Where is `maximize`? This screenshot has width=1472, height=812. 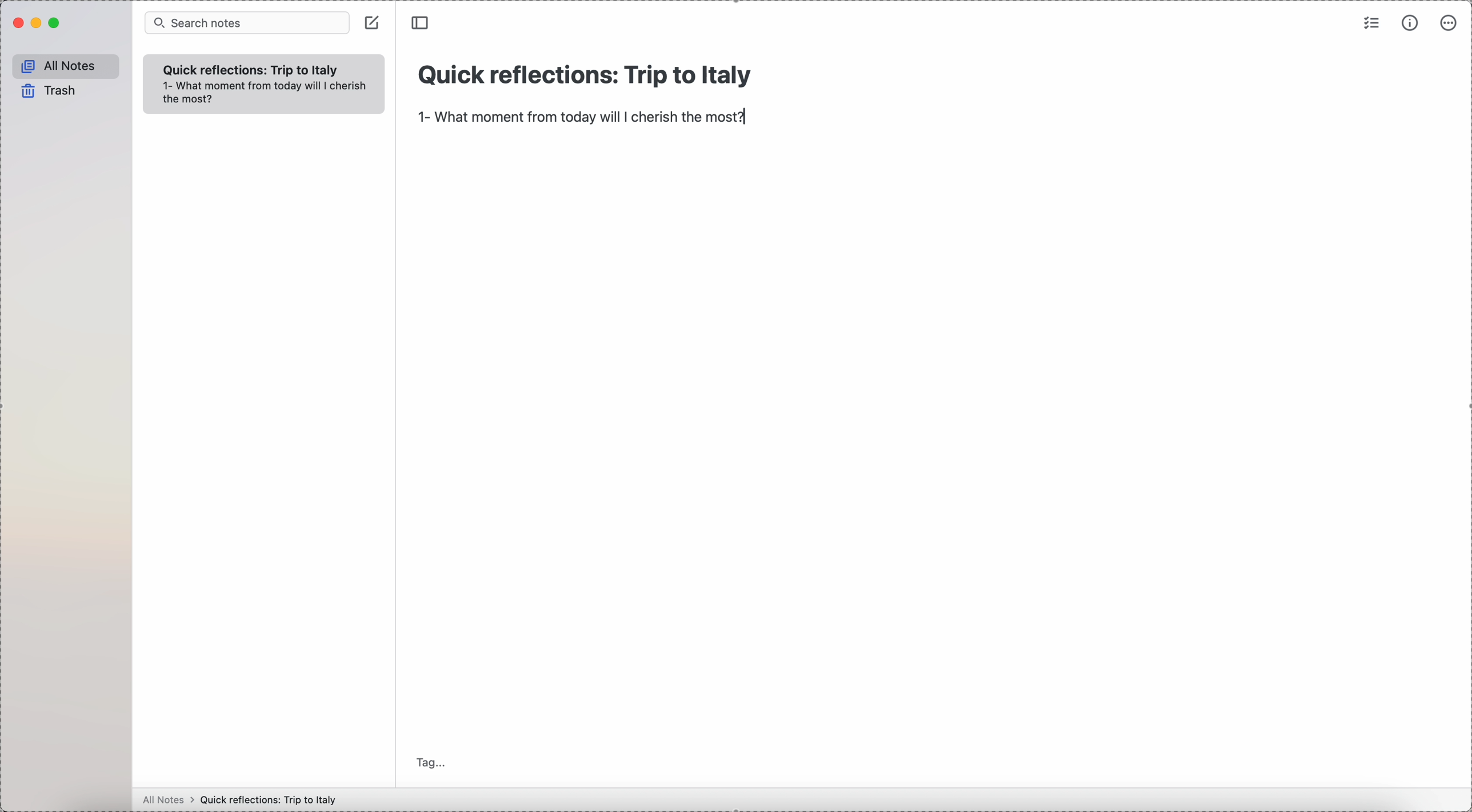
maximize is located at coordinates (56, 23).